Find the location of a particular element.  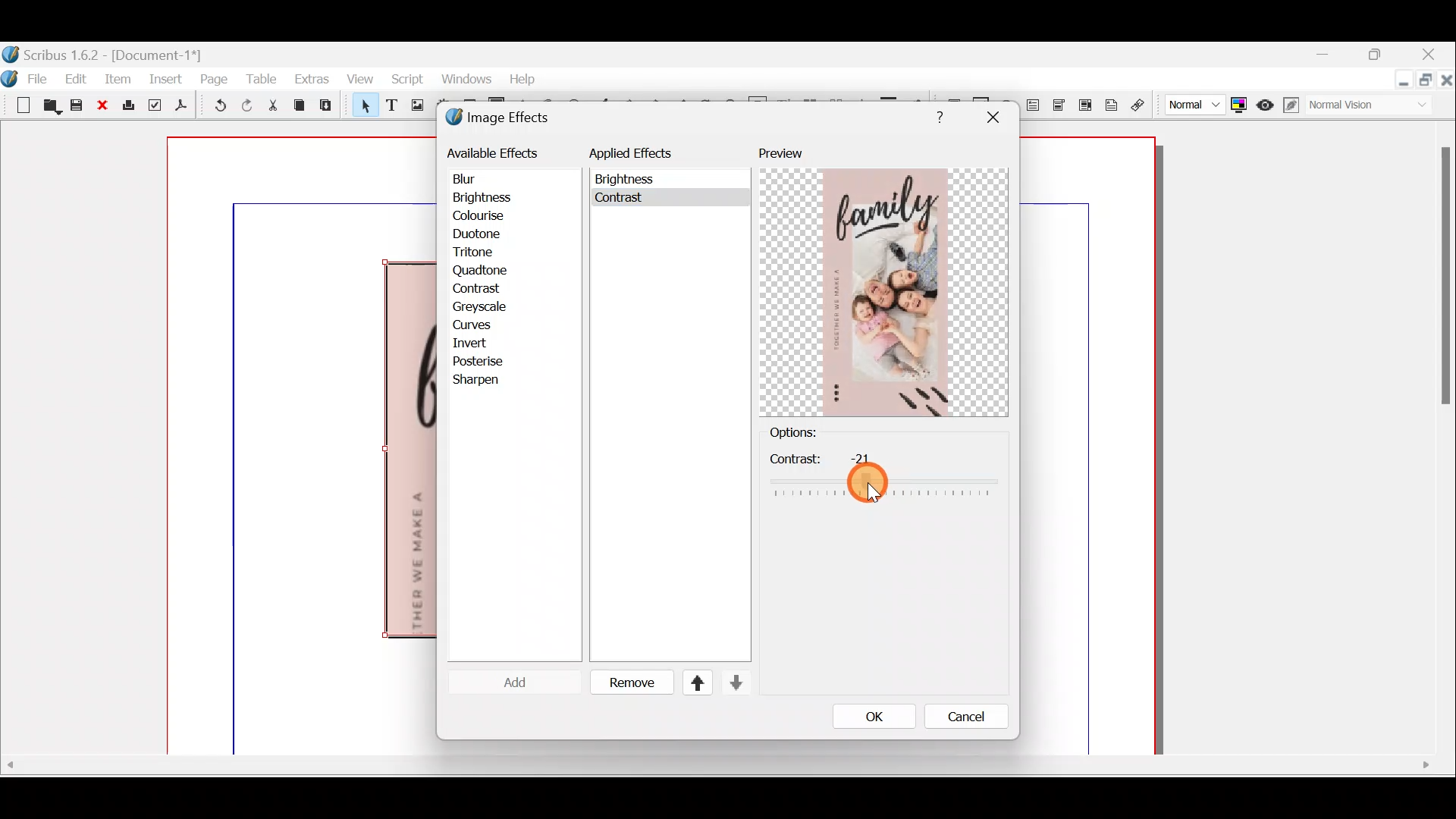

Maximise is located at coordinates (1428, 83).